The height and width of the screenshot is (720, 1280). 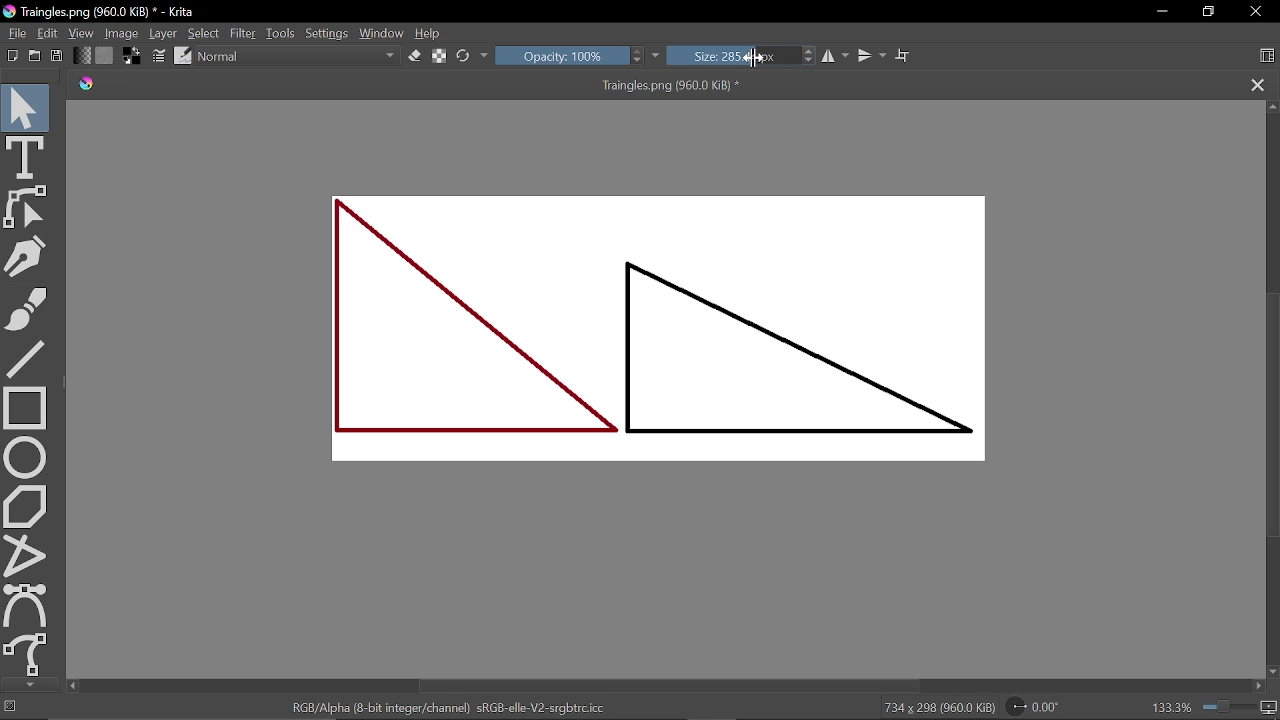 I want to click on Wrap around mode, so click(x=906, y=57).